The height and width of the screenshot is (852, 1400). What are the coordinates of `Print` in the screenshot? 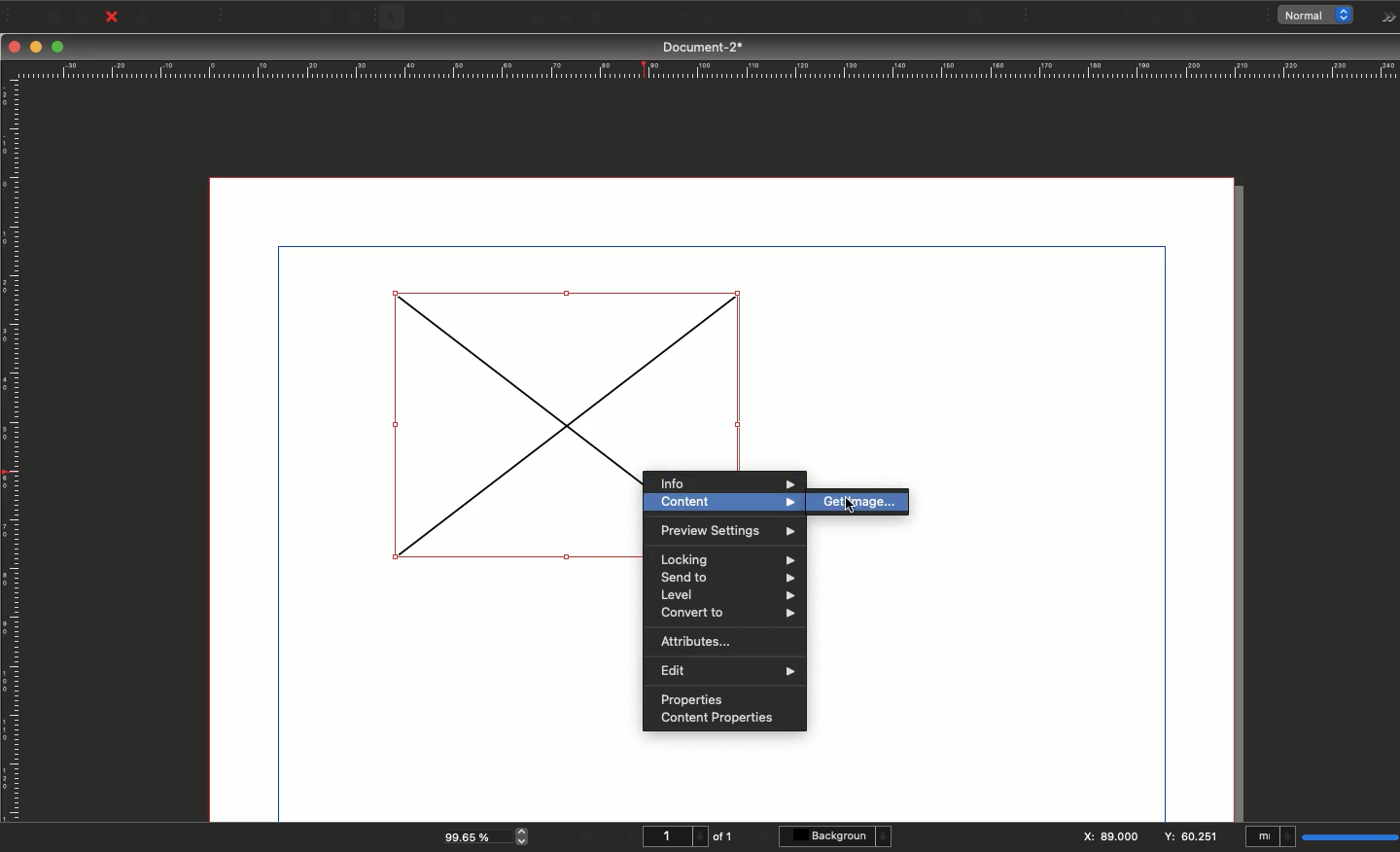 It's located at (142, 18).